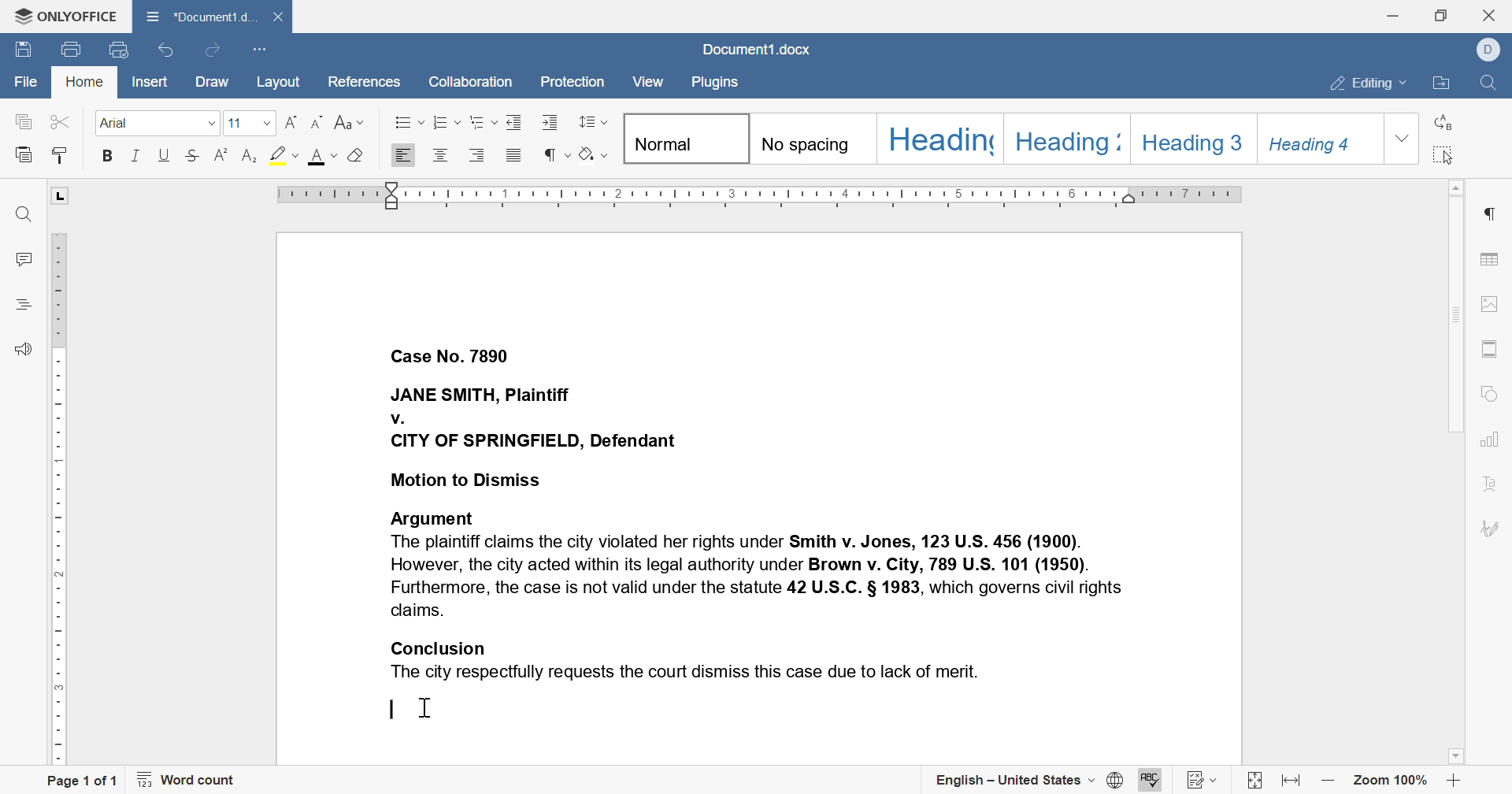 The image size is (1512, 794). I want to click on table settings, so click(1491, 260).